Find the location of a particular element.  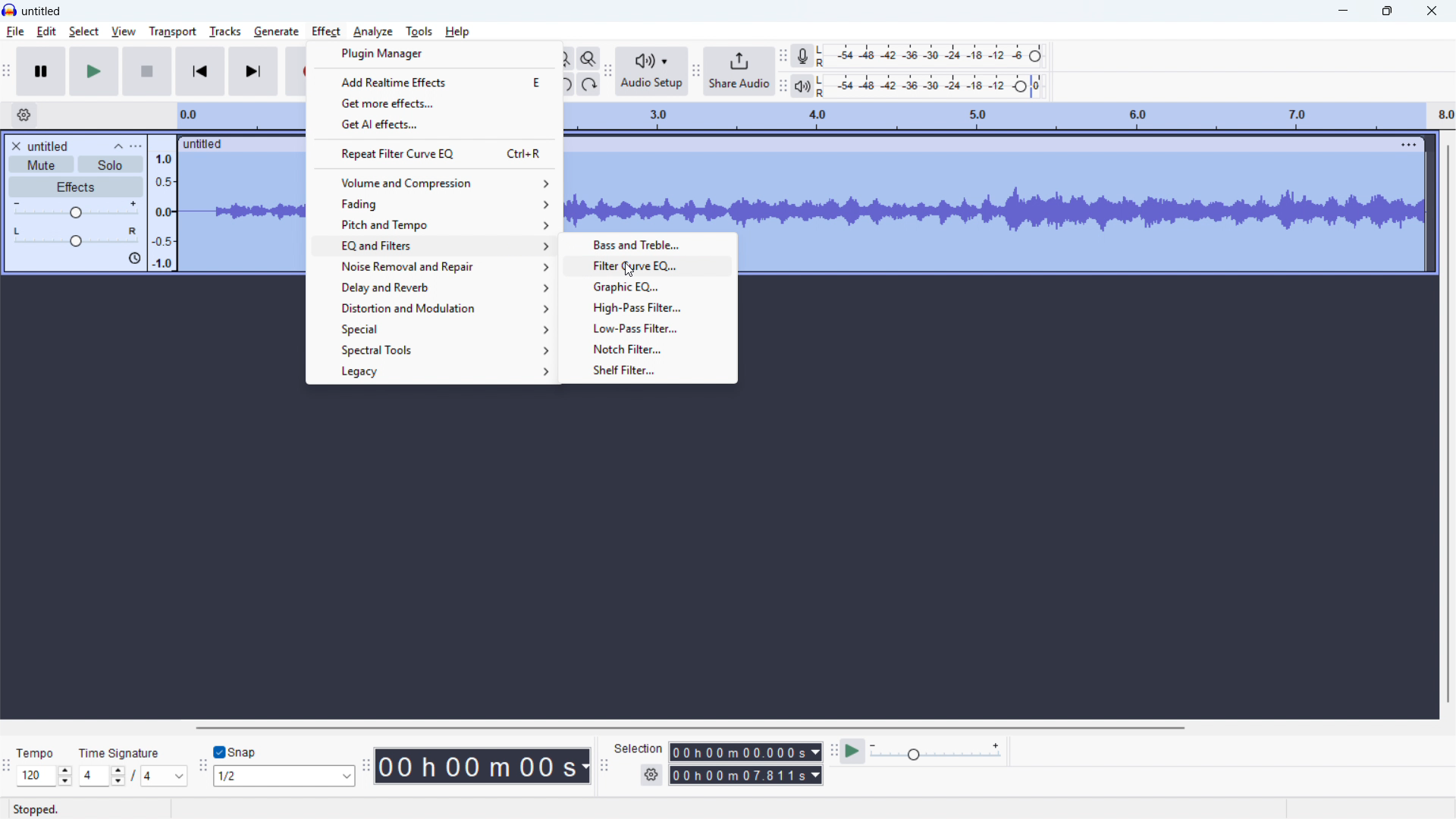

track options  is located at coordinates (1410, 143).